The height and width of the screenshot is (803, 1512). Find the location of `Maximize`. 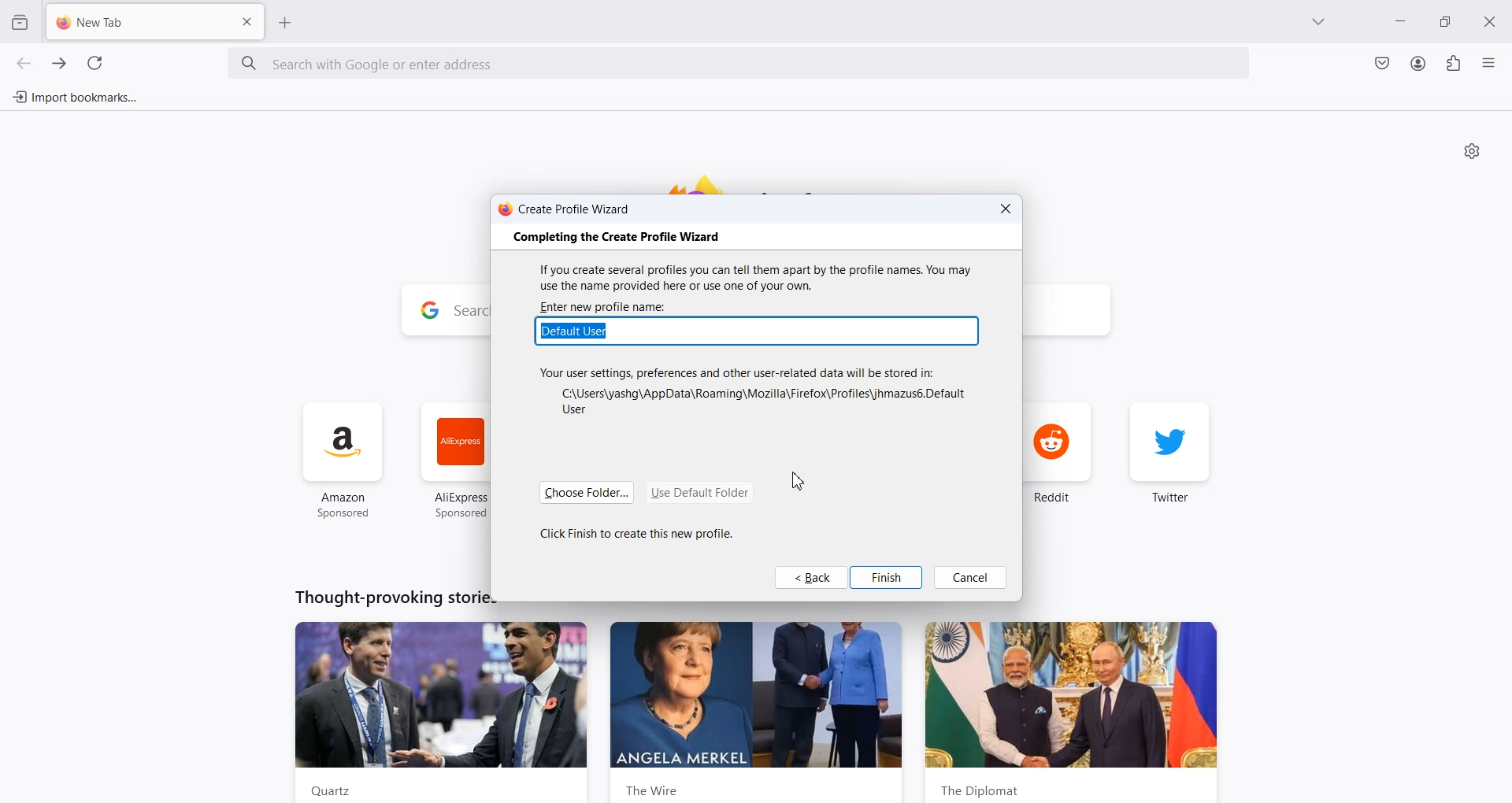

Maximize is located at coordinates (1448, 22).